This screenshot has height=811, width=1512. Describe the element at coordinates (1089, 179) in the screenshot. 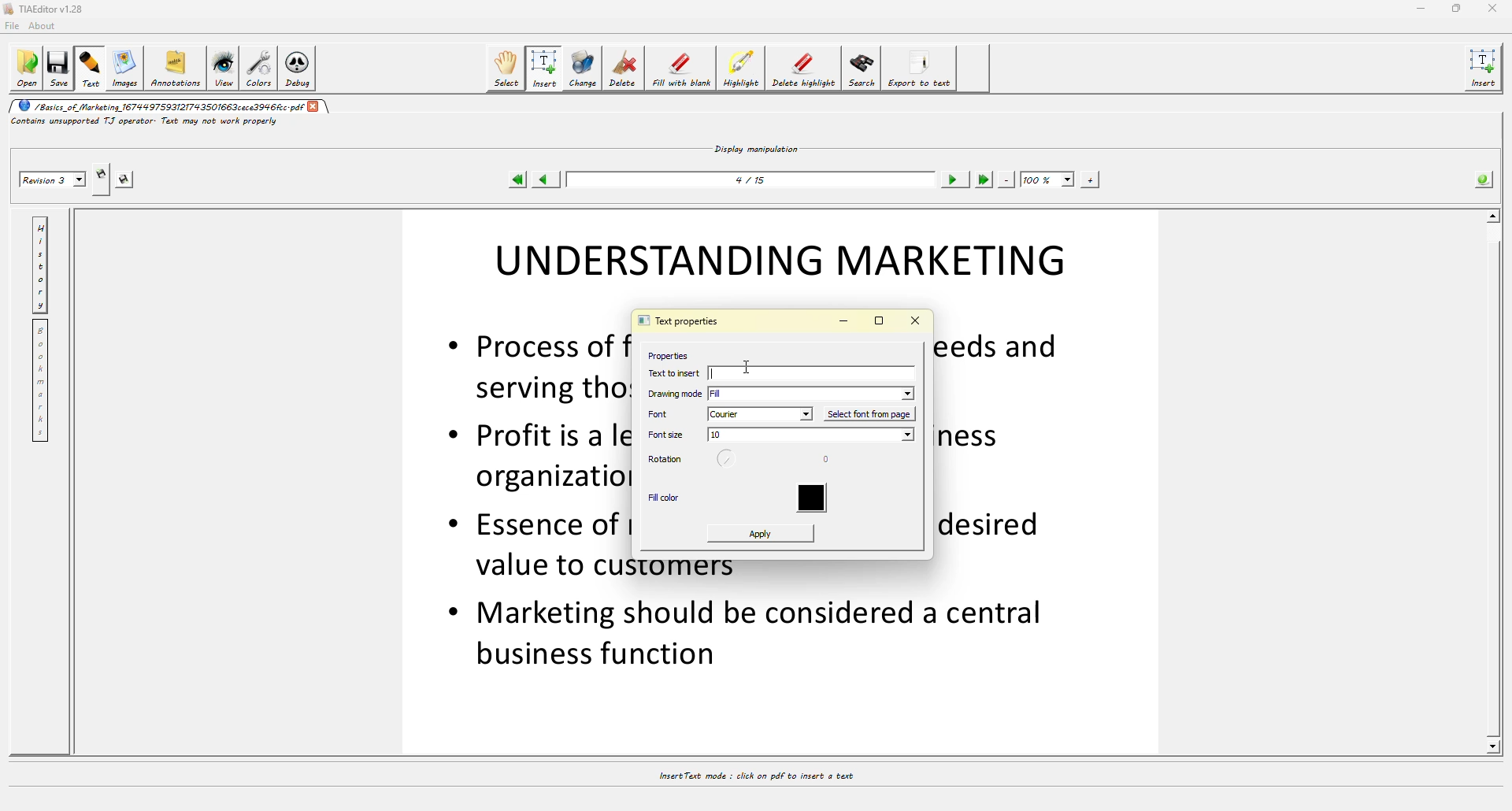

I see `zoom in` at that location.